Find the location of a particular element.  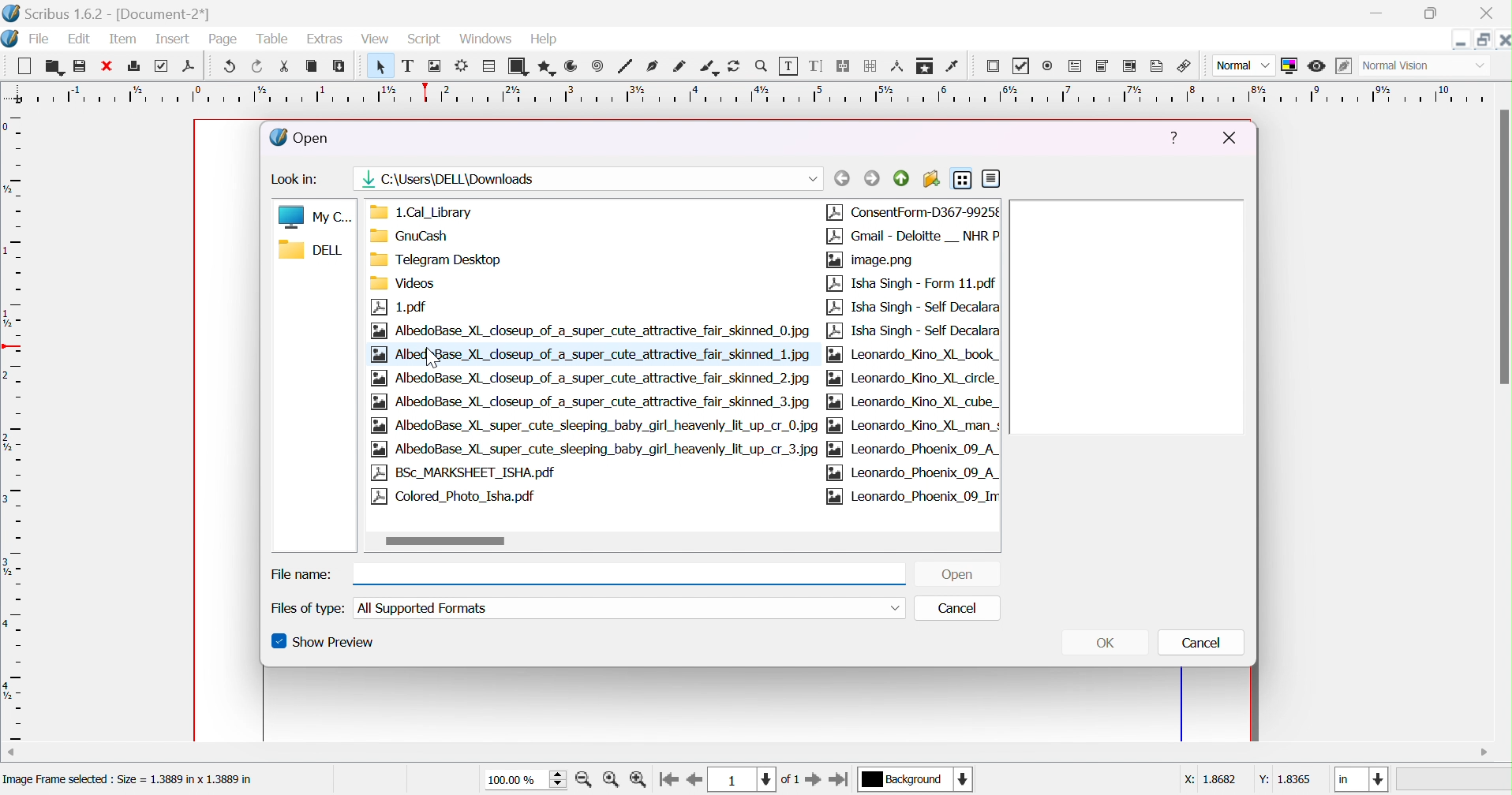

all supported formats is located at coordinates (424, 607).